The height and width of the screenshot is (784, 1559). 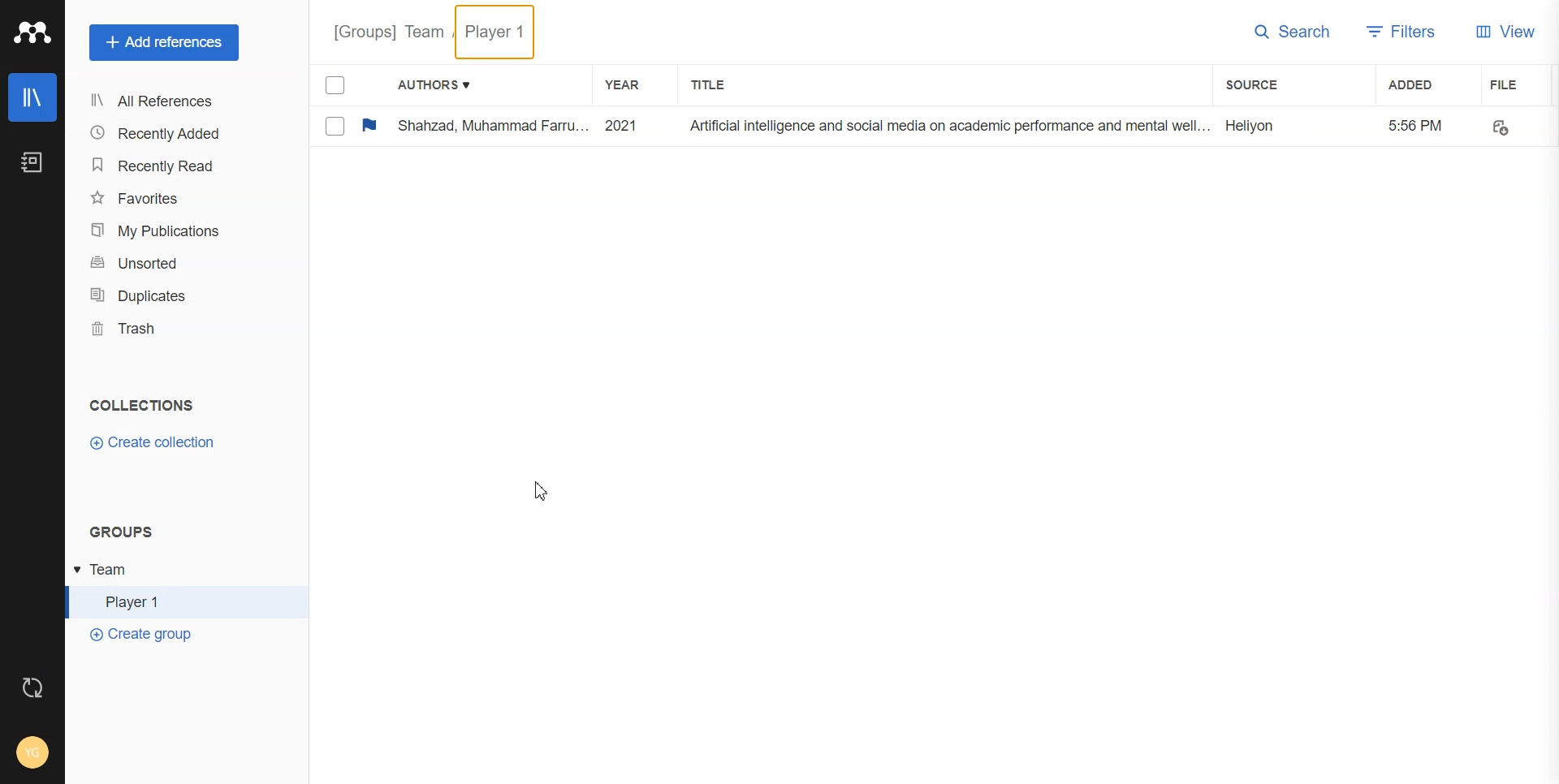 I want to click on Group Team, so click(x=388, y=31).